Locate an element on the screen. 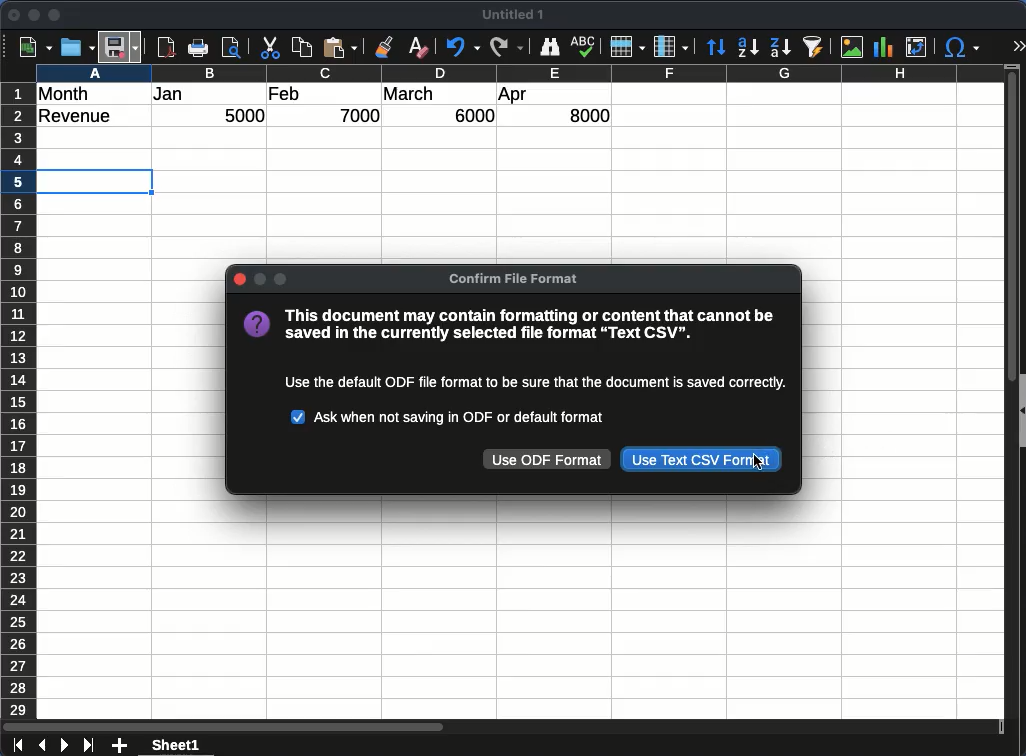  descending  is located at coordinates (779, 46).